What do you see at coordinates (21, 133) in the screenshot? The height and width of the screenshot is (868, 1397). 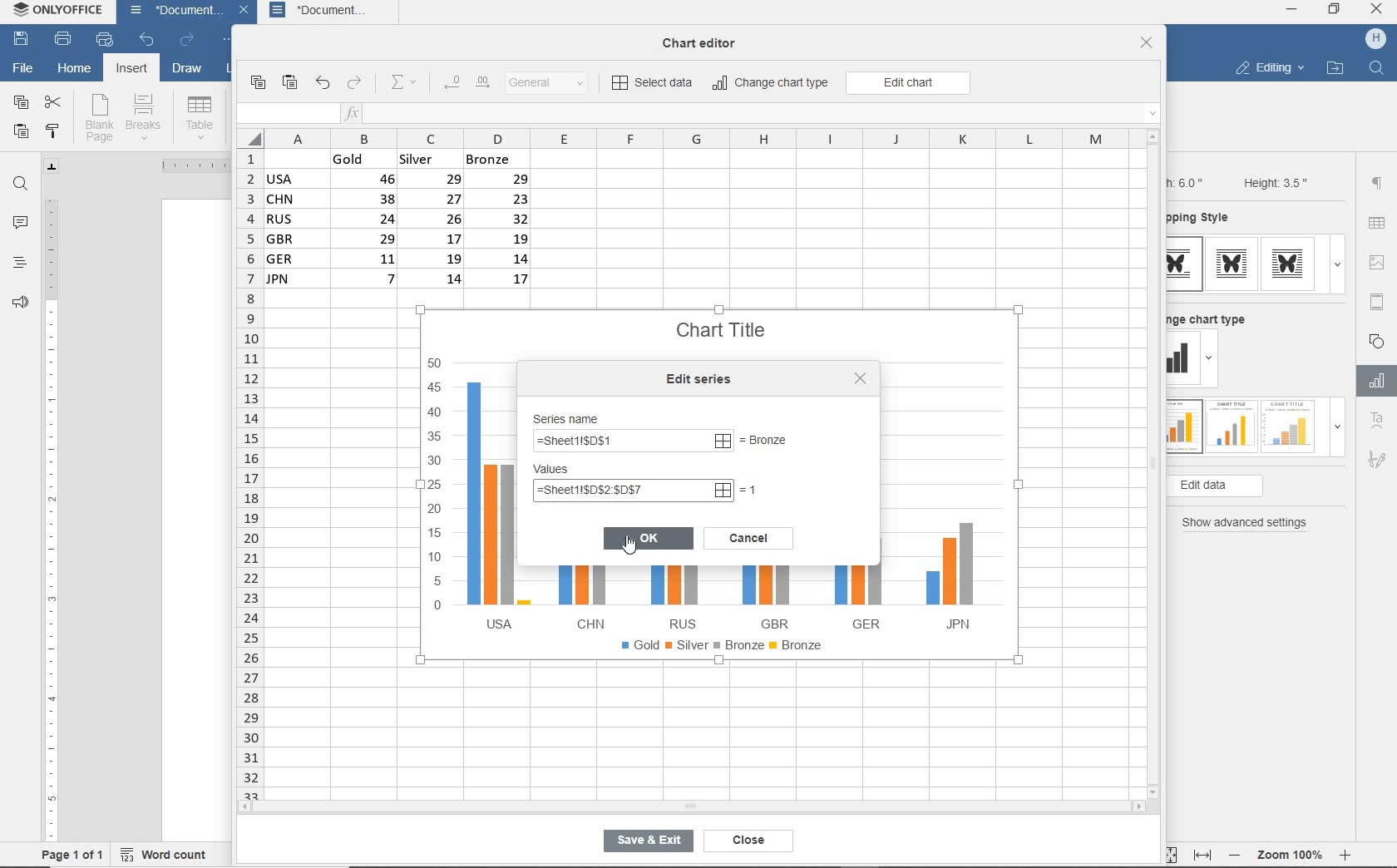 I see `paste` at bounding box center [21, 133].